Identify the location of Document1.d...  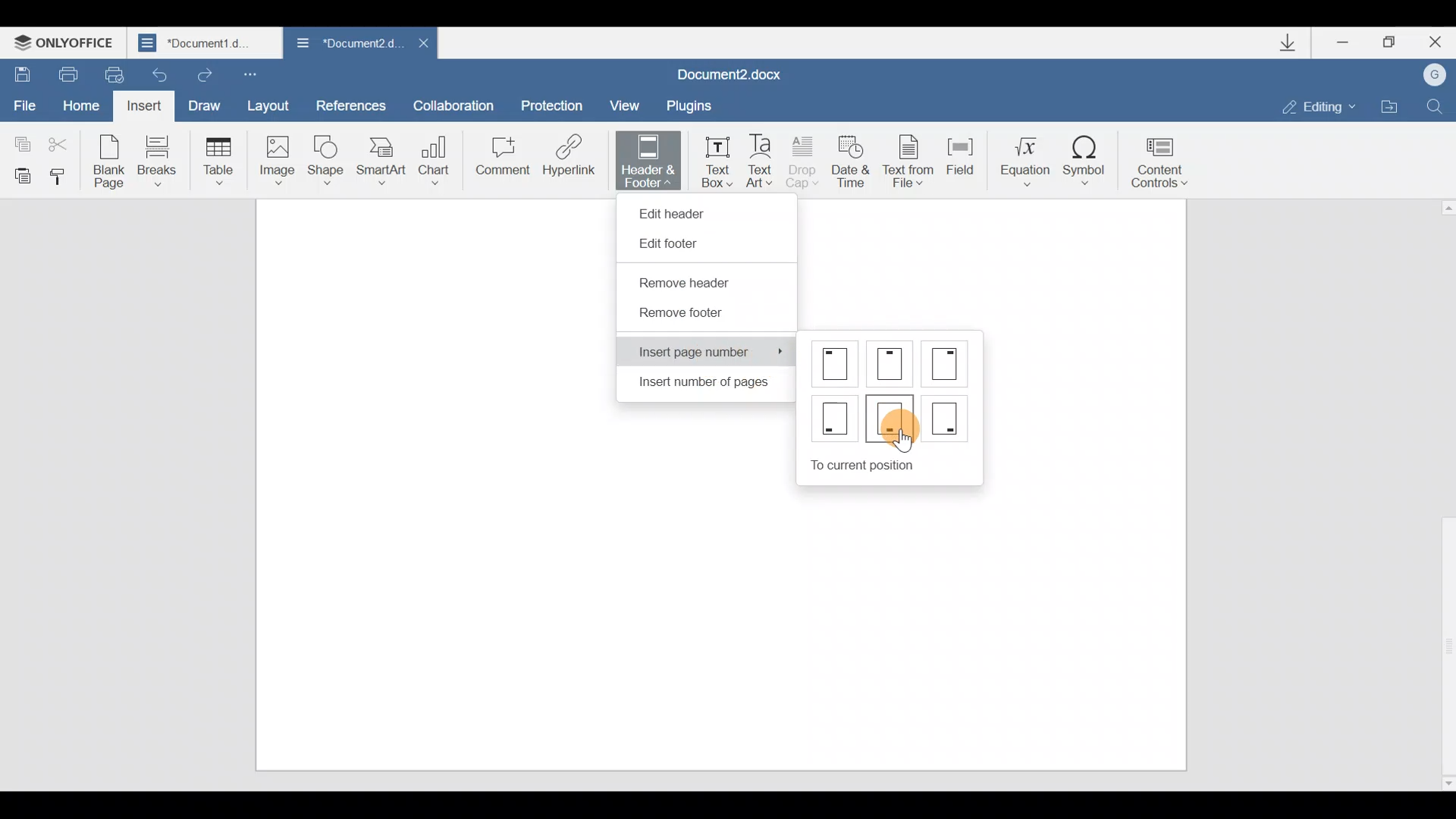
(206, 42).